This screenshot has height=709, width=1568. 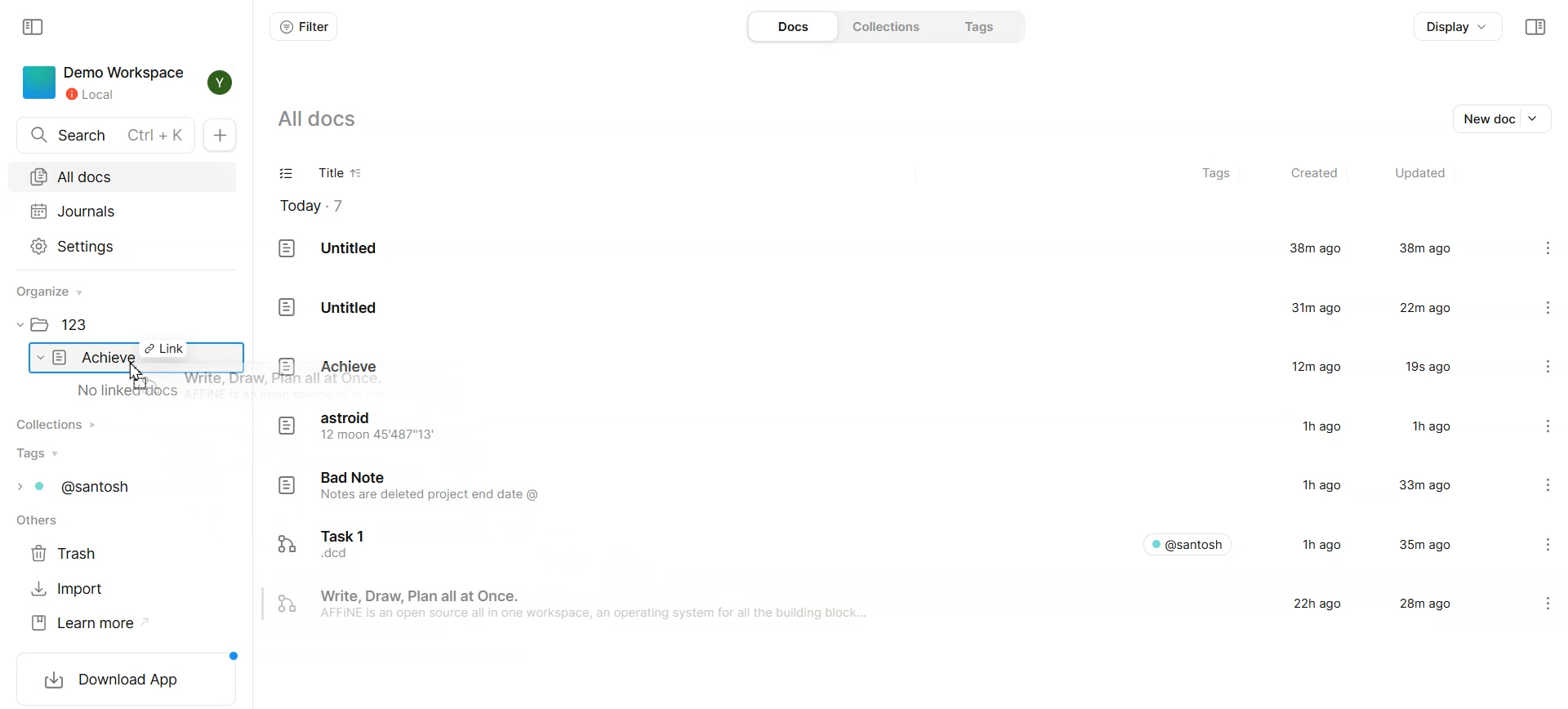 I want to click on New doc, so click(x=224, y=136).